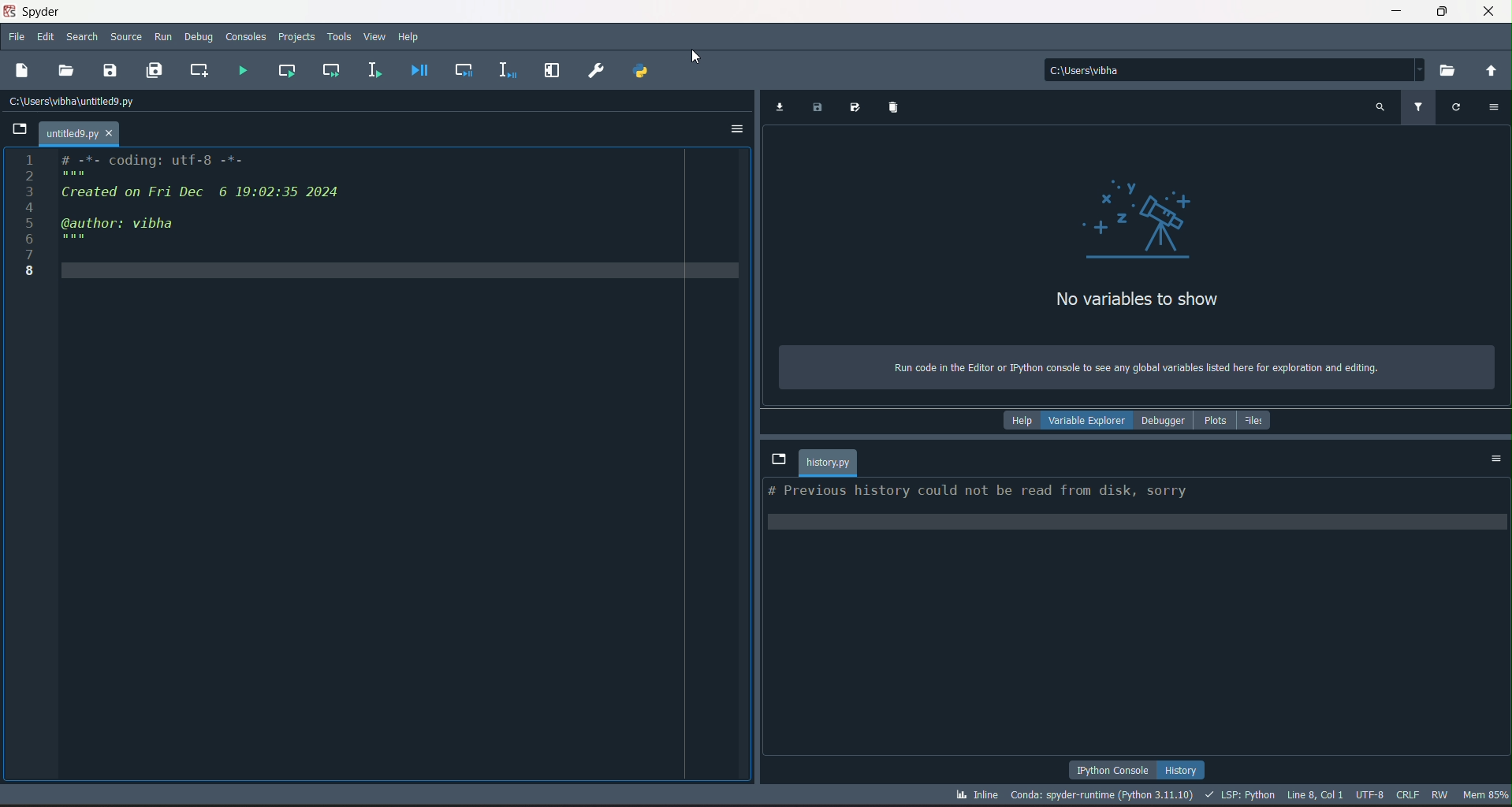 This screenshot has height=807, width=1512. I want to click on debugger, so click(1164, 419).